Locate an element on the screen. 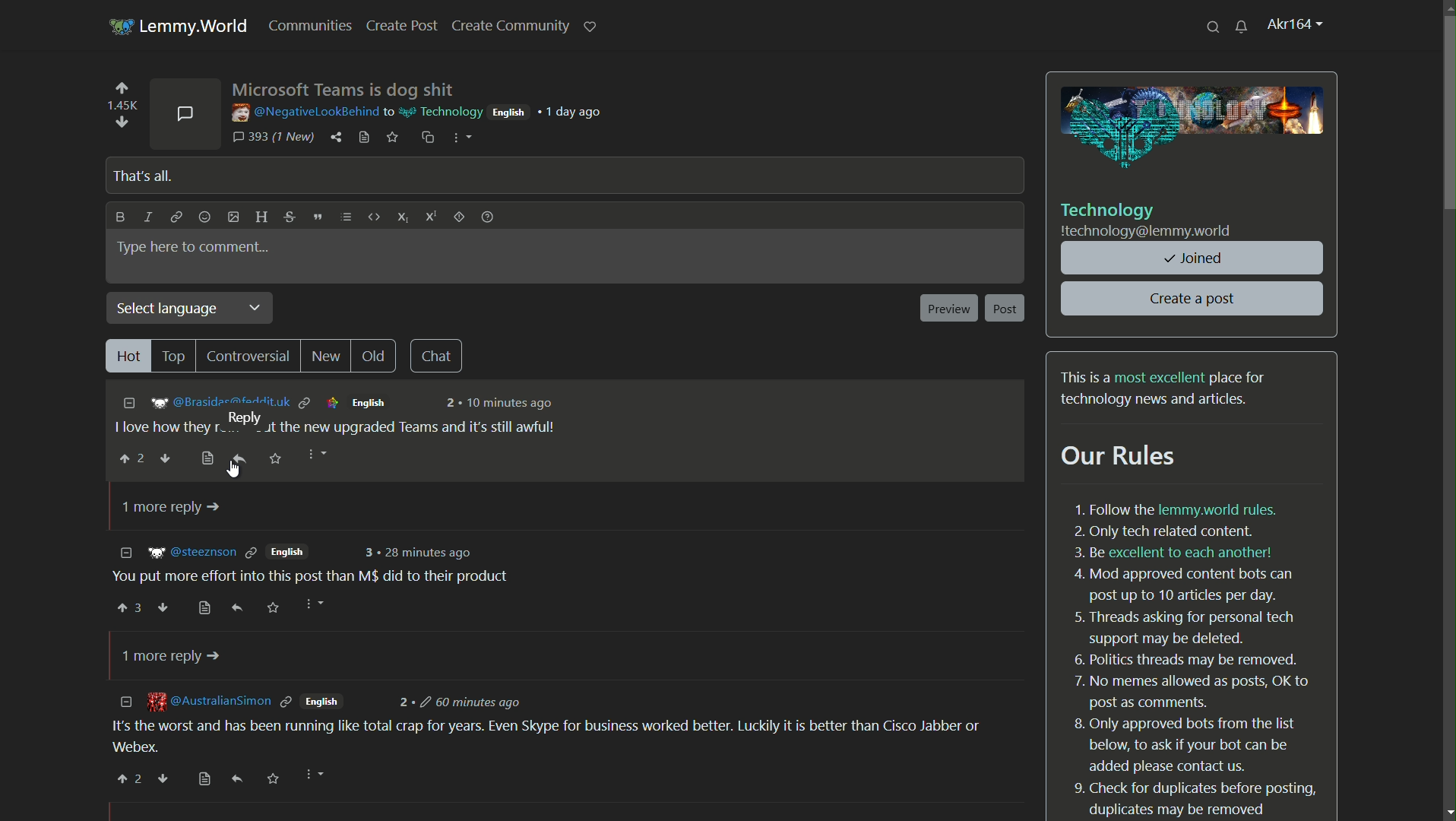 The height and width of the screenshot is (821, 1456). post is located at coordinates (1006, 309).